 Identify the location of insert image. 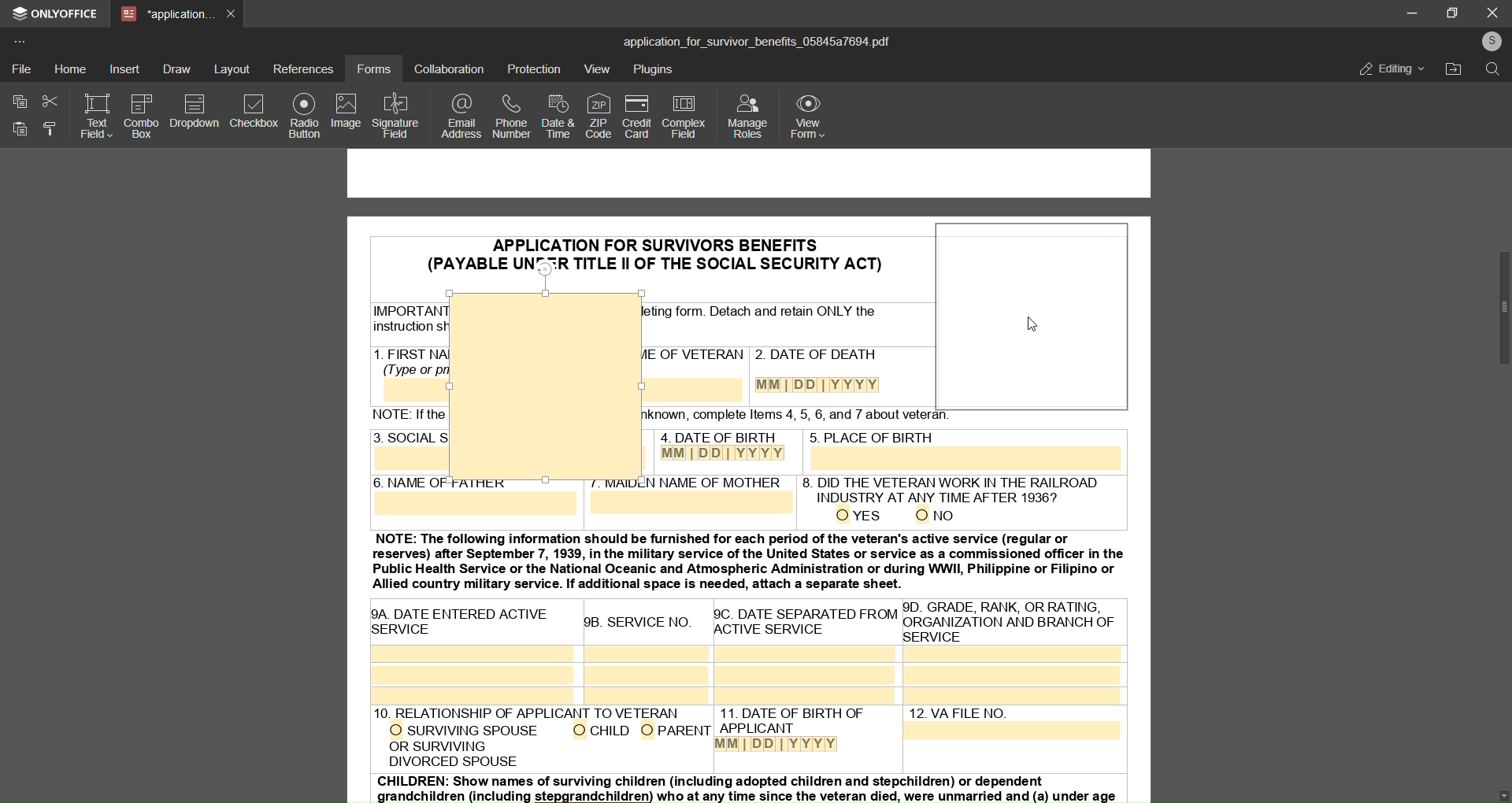
(399, 141).